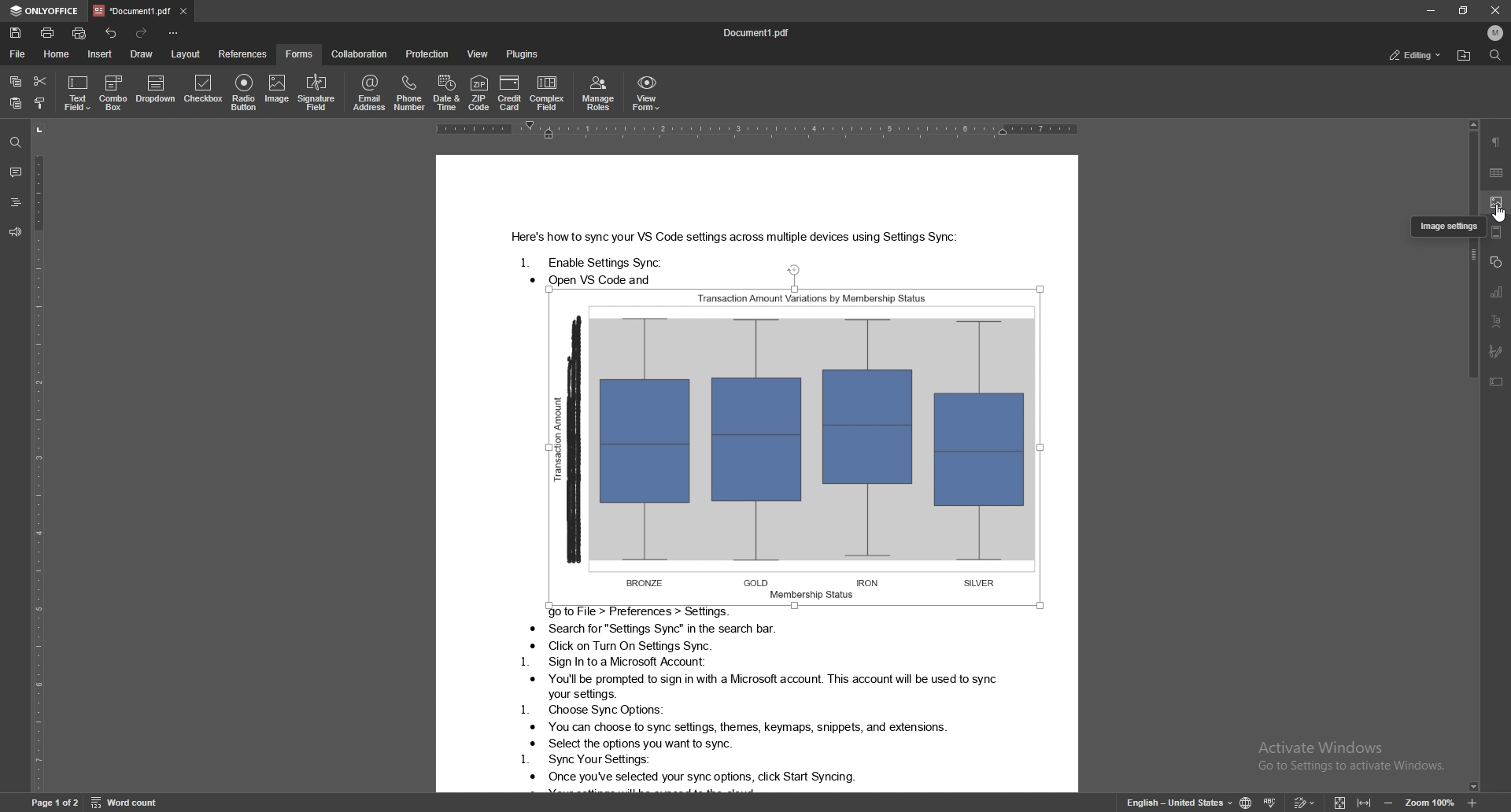  What do you see at coordinates (78, 93) in the screenshot?
I see `text field` at bounding box center [78, 93].